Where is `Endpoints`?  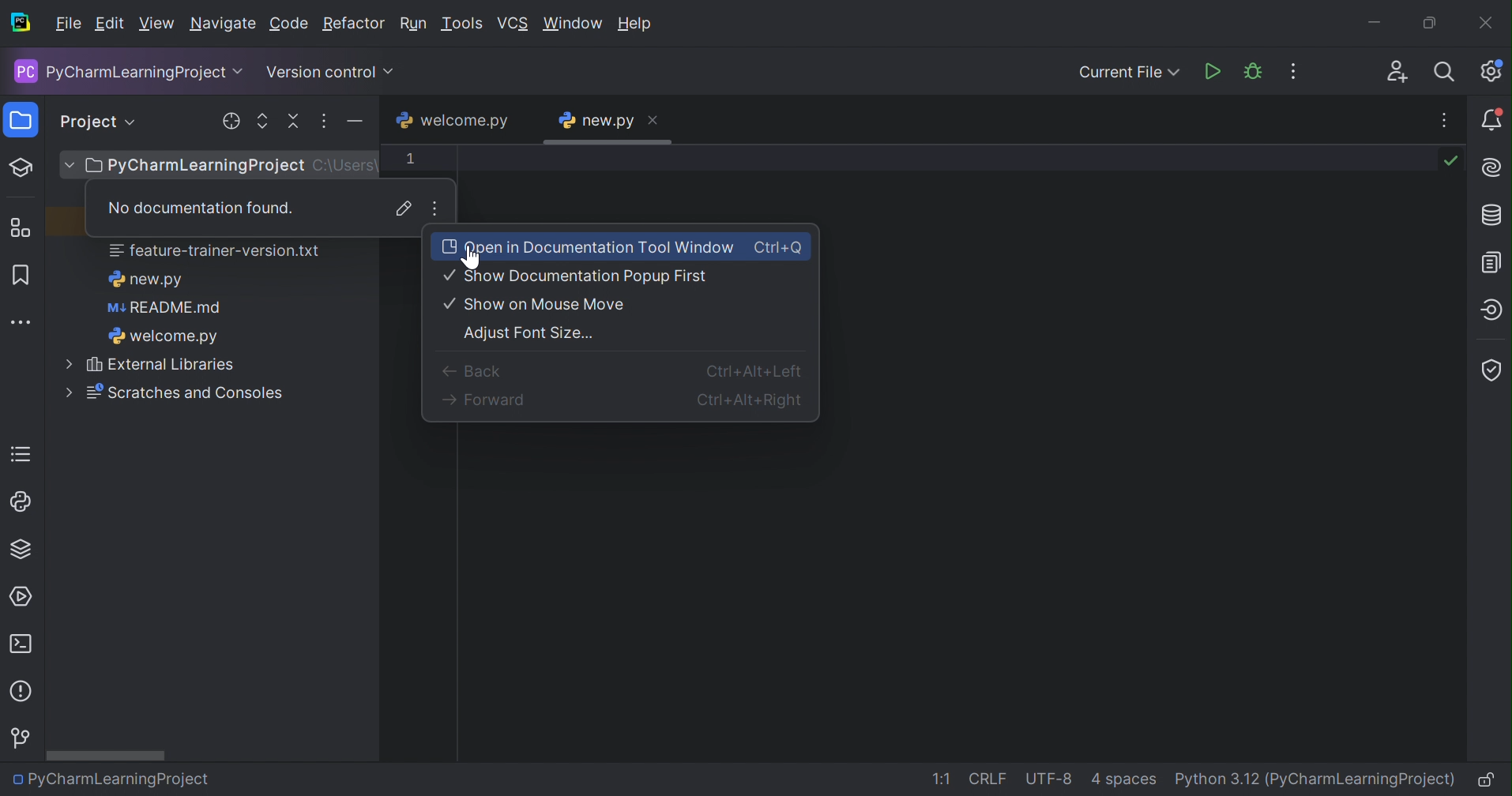
Endpoints is located at coordinates (1492, 310).